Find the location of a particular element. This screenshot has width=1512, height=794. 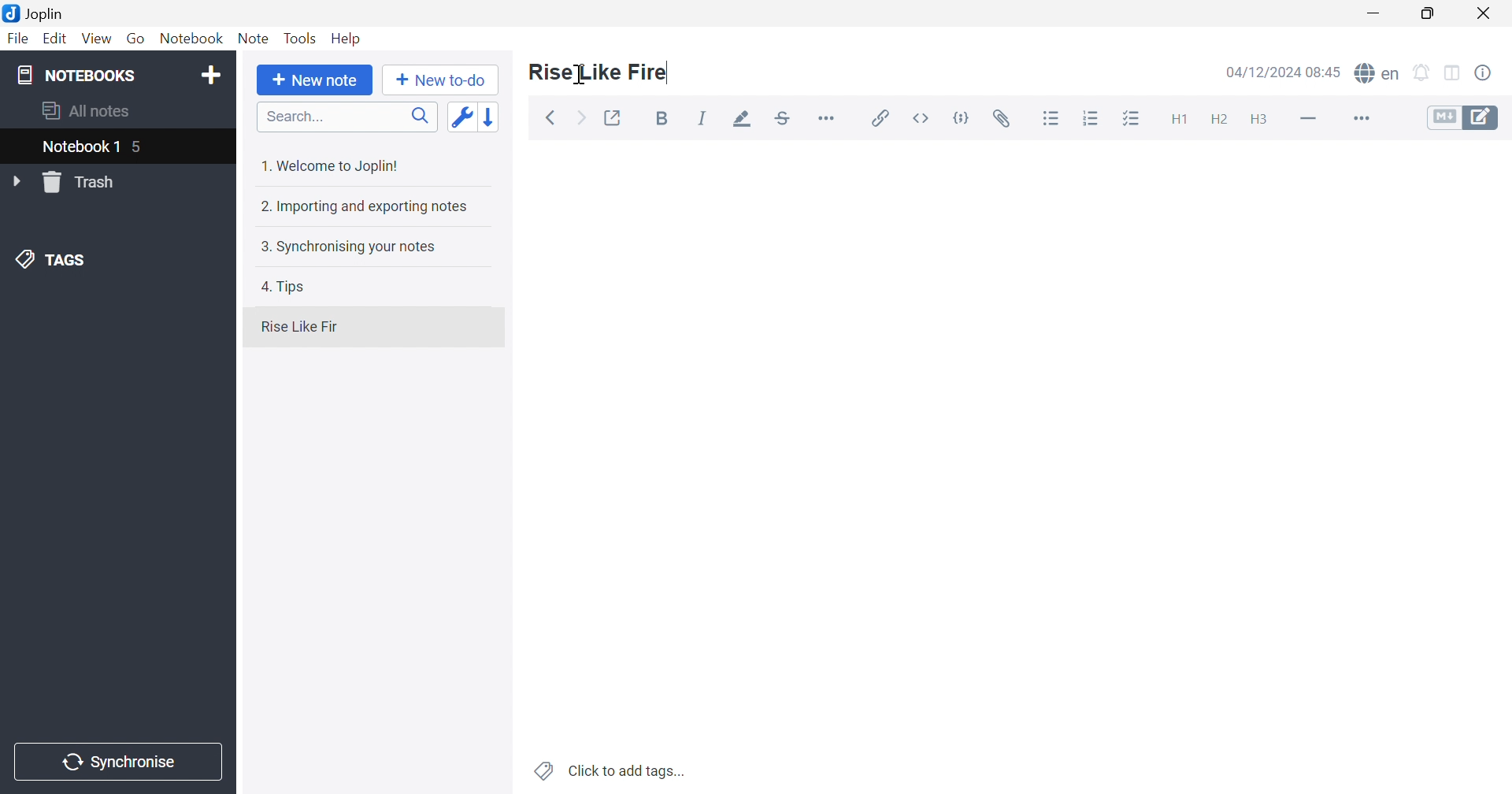

Synchronise is located at coordinates (114, 761).